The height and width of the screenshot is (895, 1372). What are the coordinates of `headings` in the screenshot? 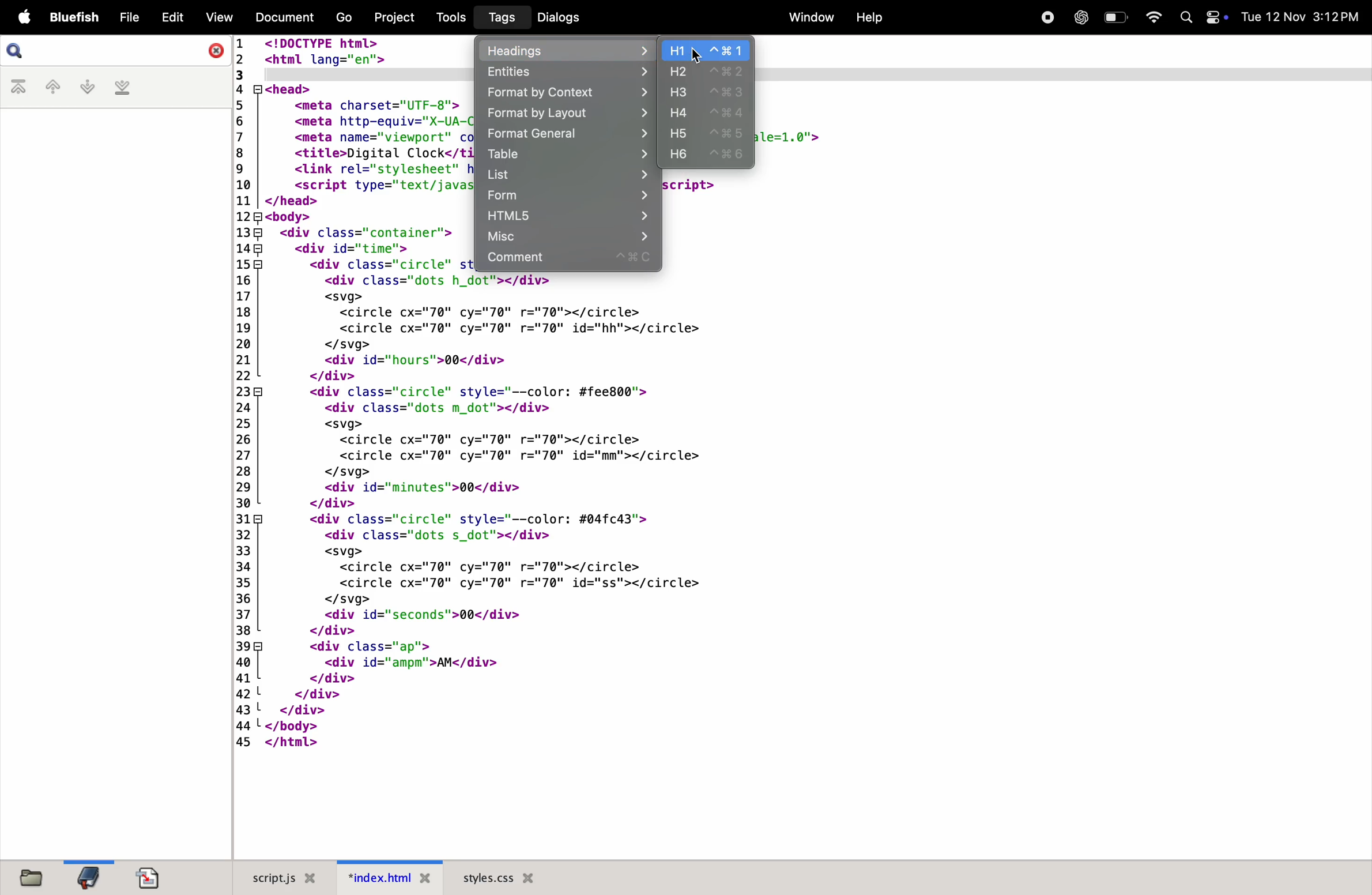 It's located at (568, 50).